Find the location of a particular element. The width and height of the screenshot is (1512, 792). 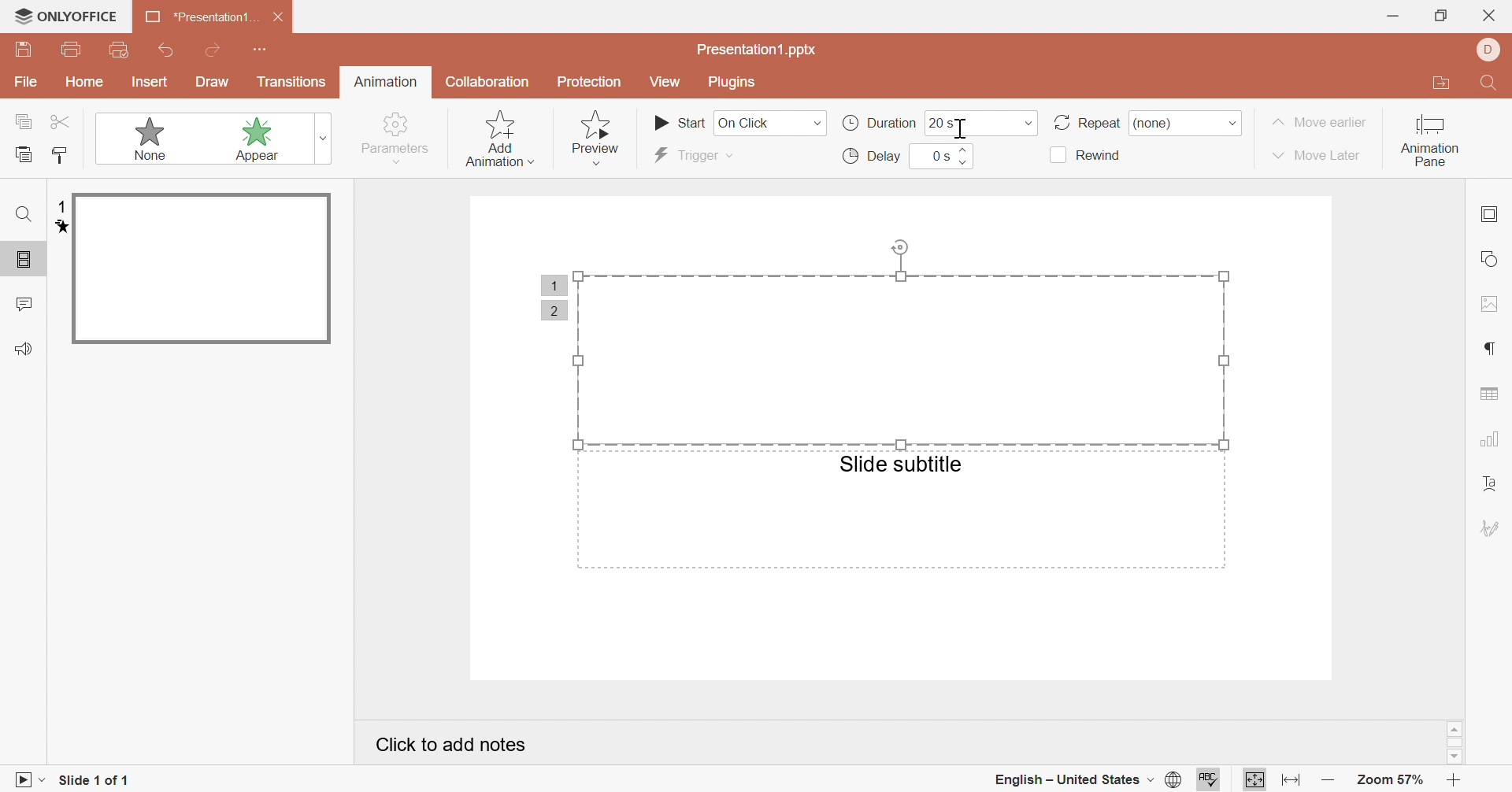

zoom out is located at coordinates (1329, 781).